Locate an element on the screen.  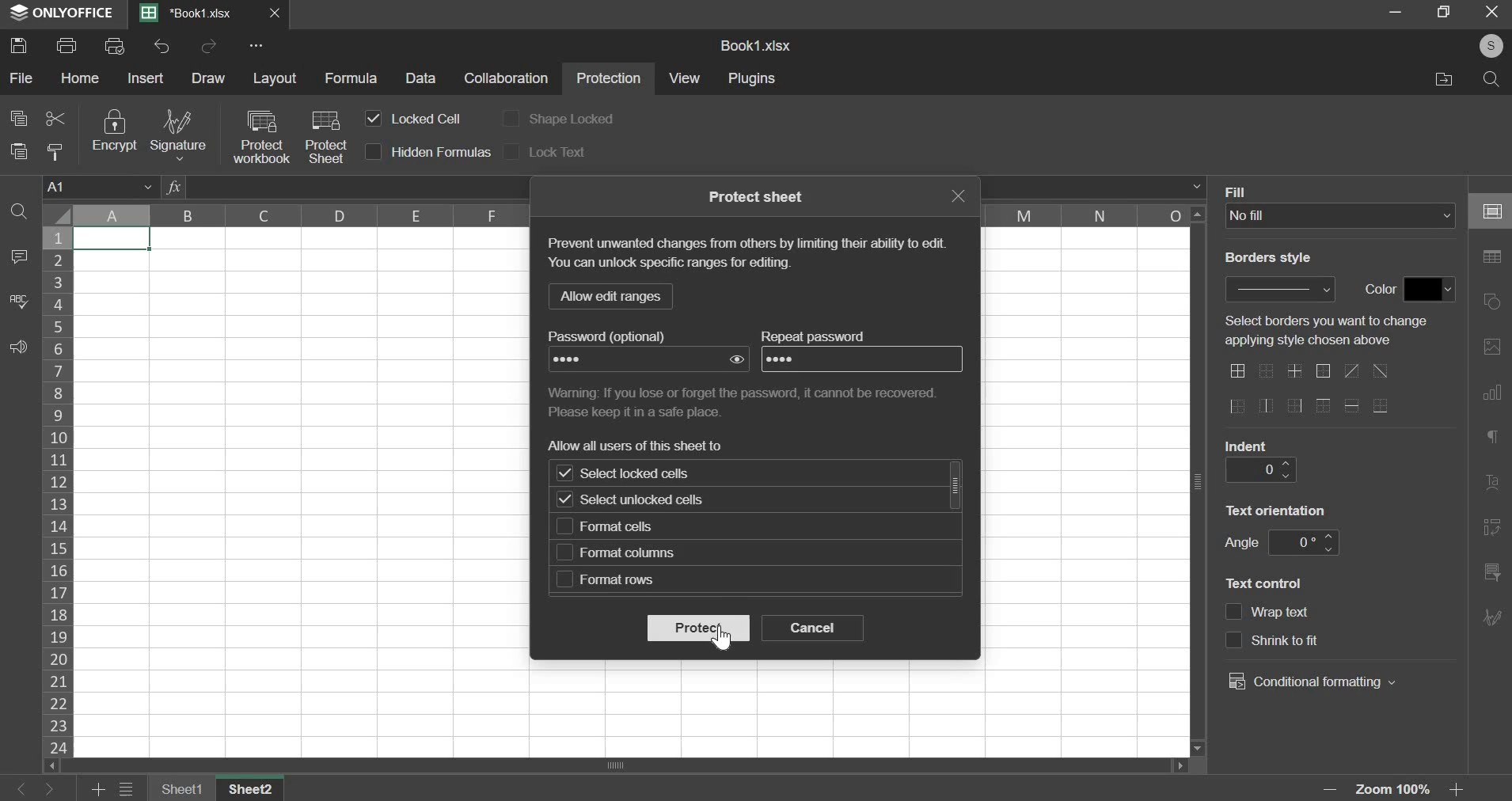
shape locked is located at coordinates (572, 120).